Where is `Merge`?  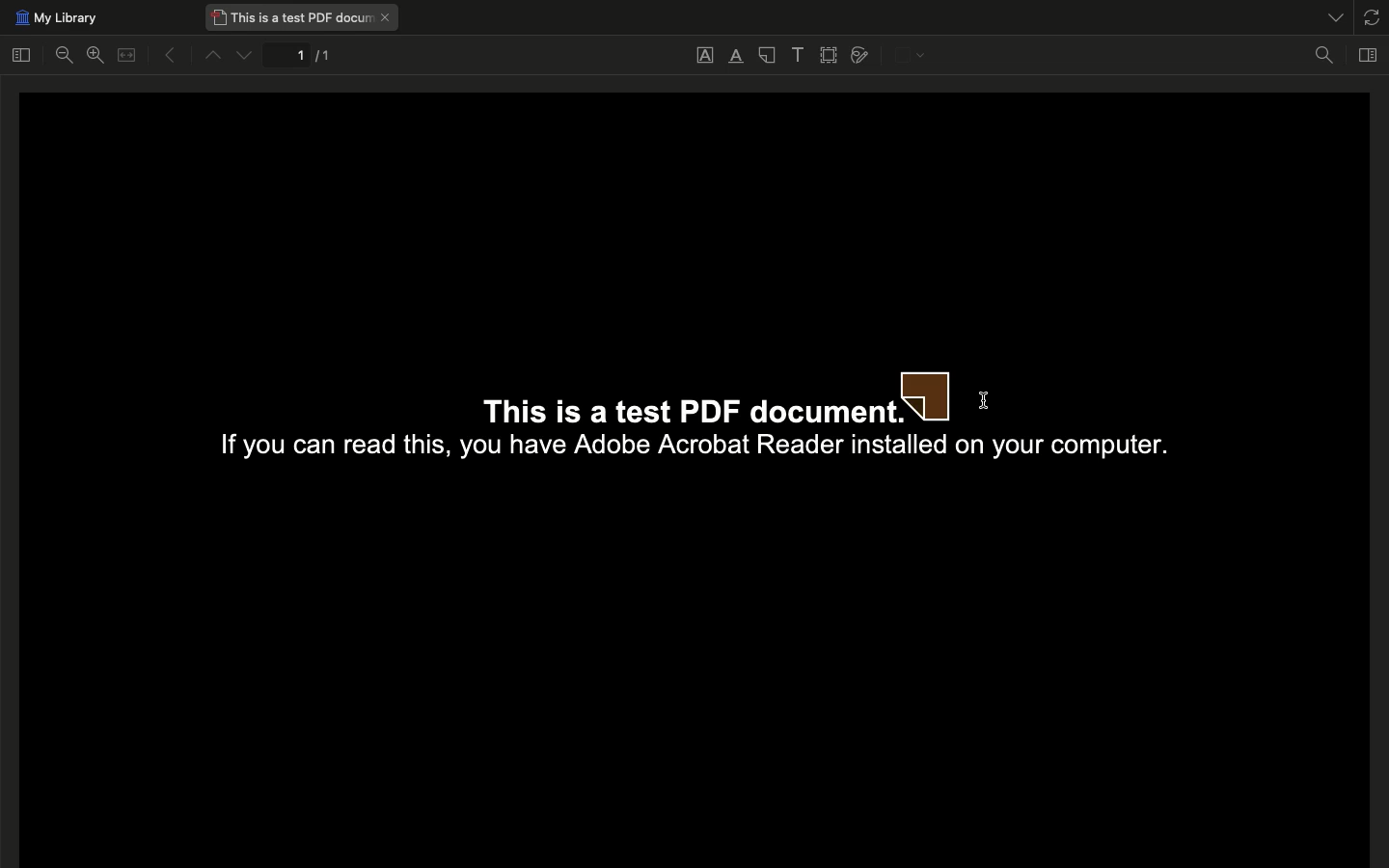
Merge is located at coordinates (126, 56).